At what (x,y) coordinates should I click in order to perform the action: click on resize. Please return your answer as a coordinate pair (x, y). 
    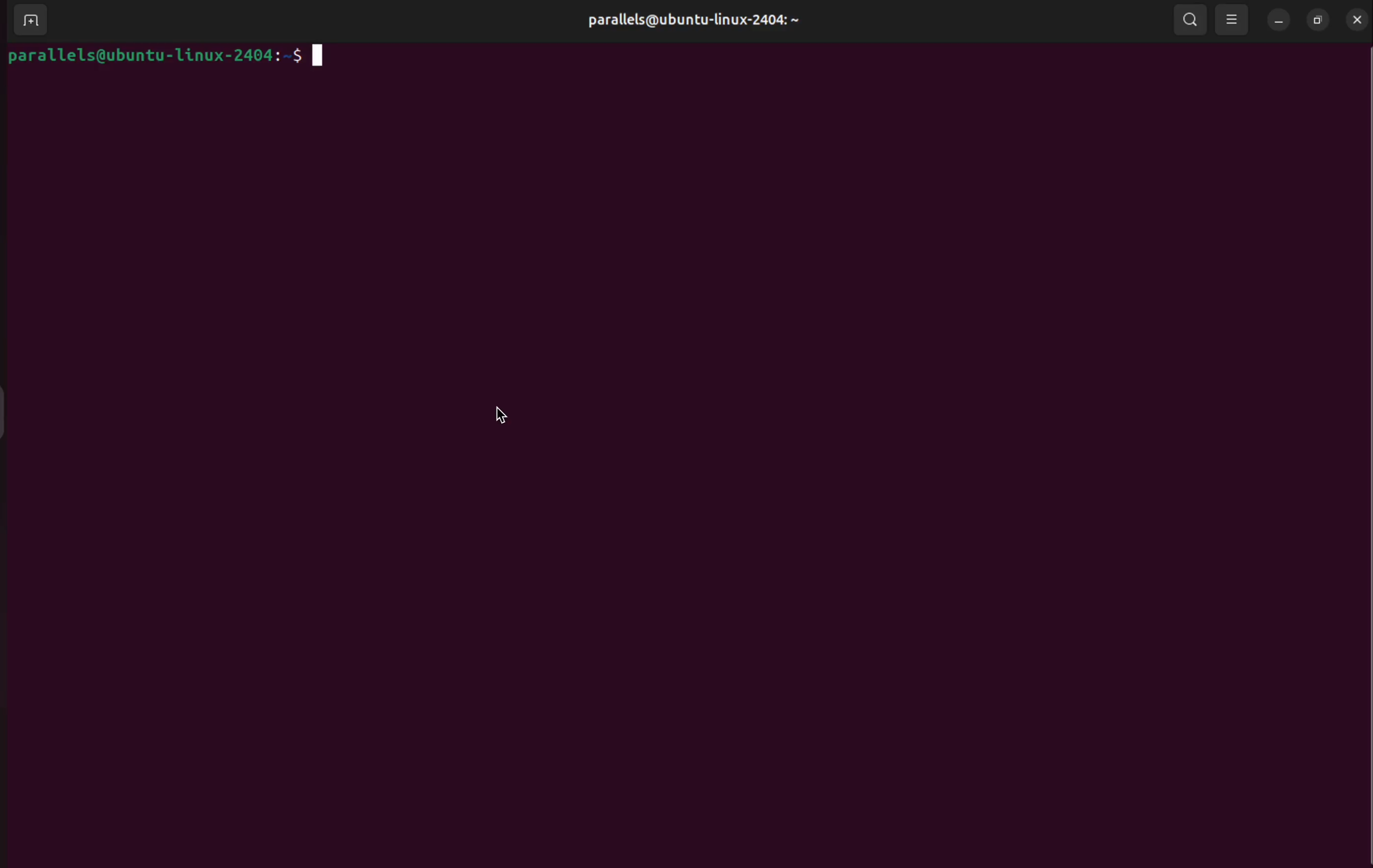
    Looking at the image, I should click on (1315, 19).